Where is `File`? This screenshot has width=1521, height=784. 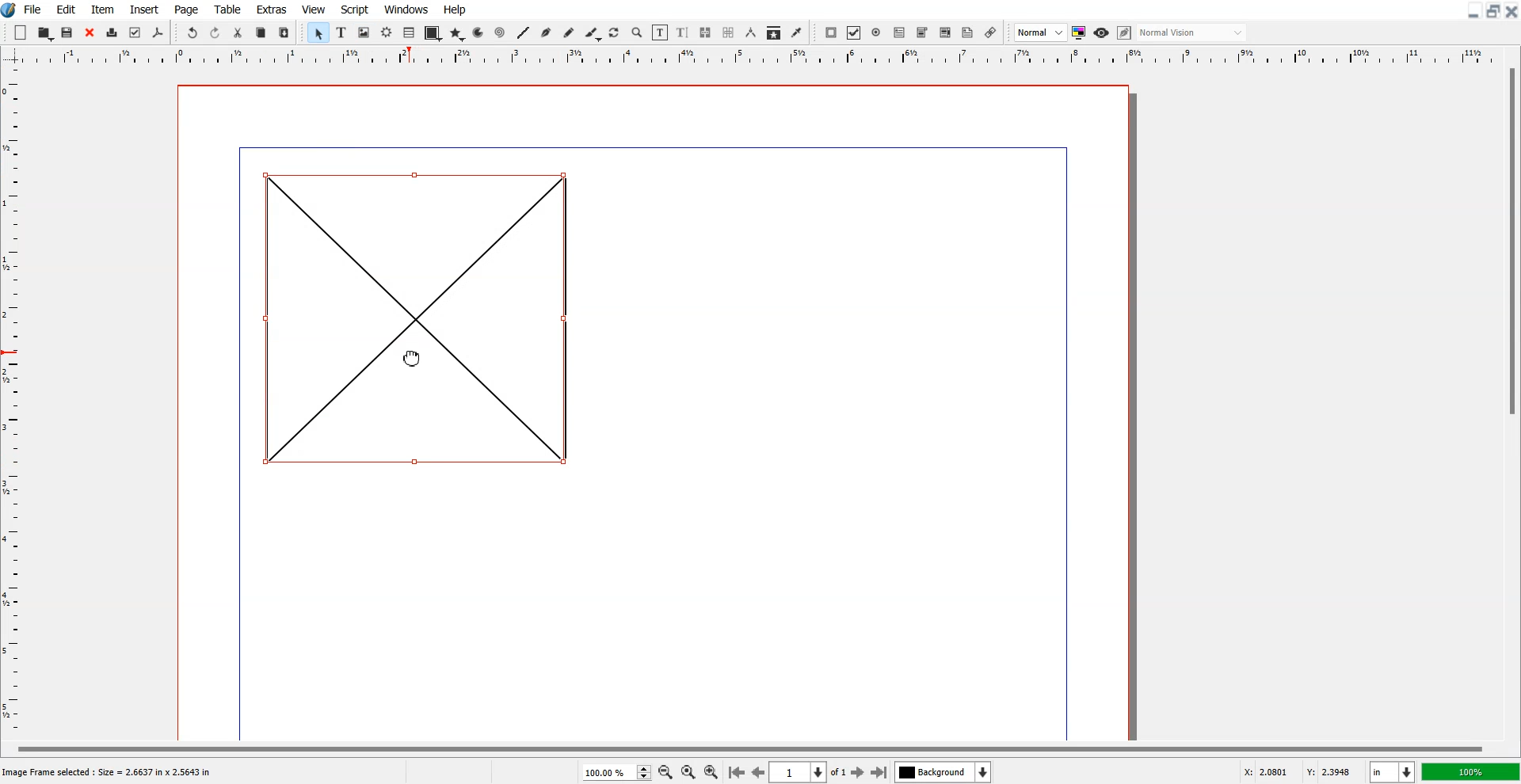
File is located at coordinates (33, 9).